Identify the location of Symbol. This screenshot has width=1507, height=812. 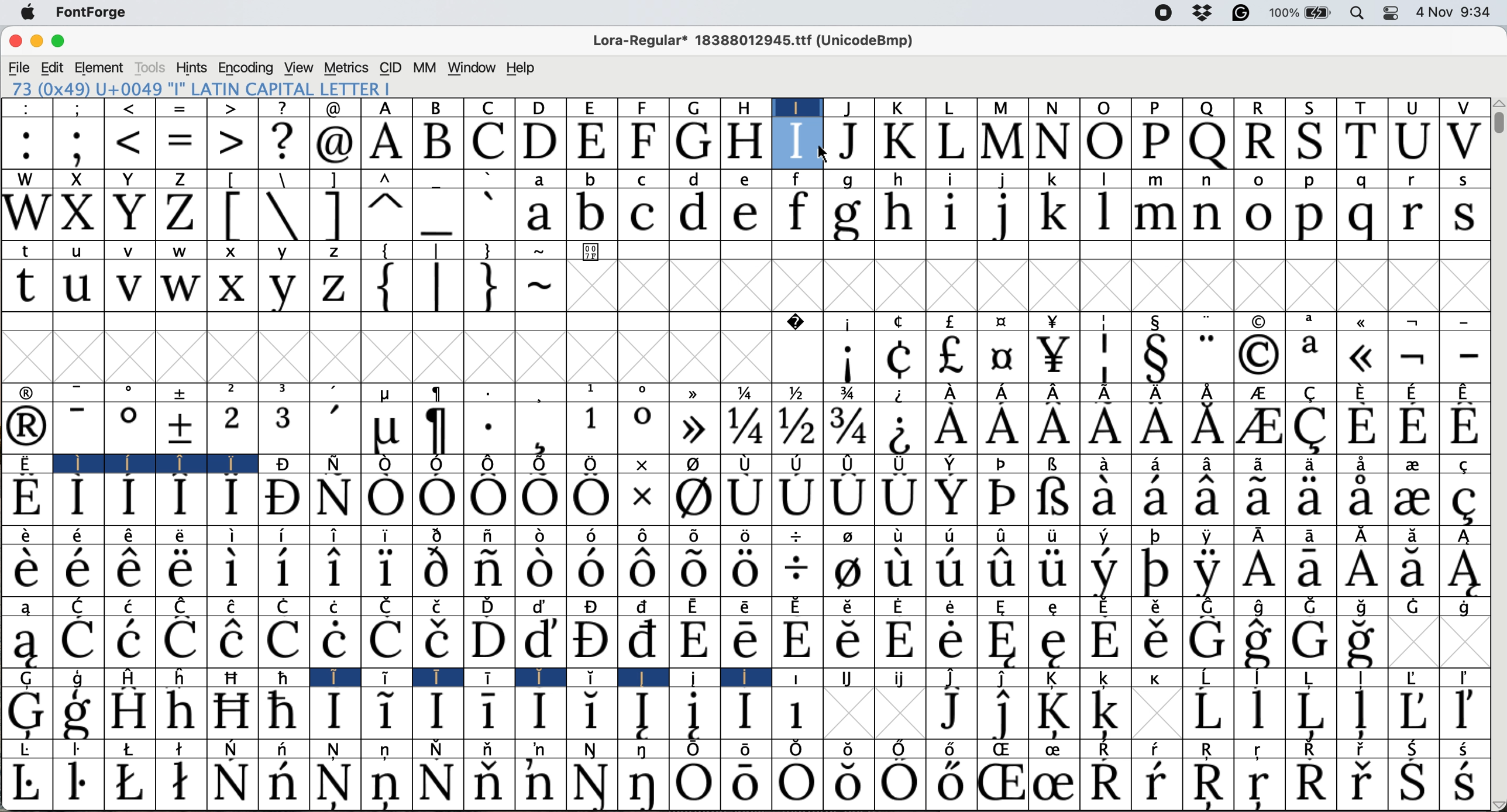
(594, 677).